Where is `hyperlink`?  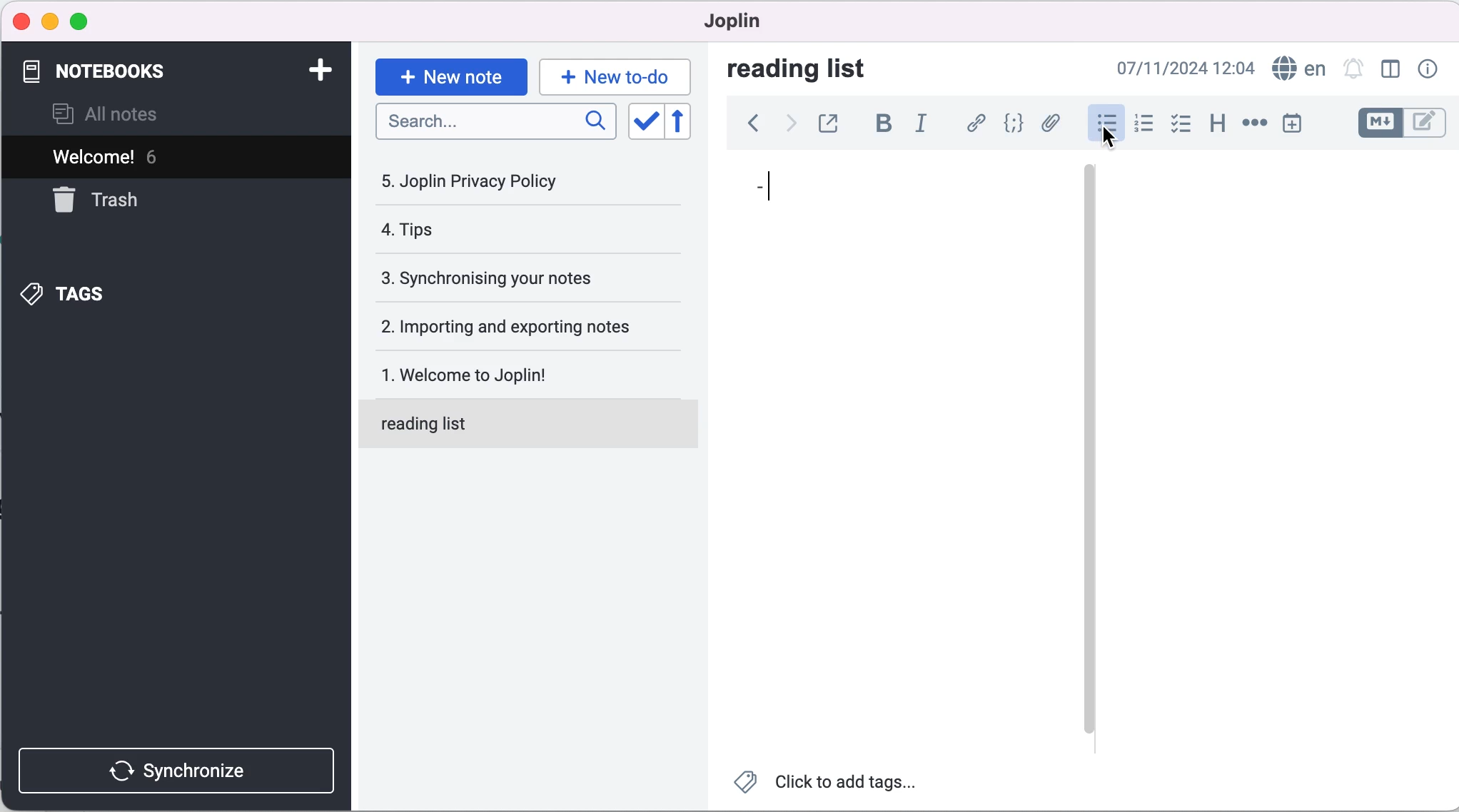 hyperlink is located at coordinates (976, 123).